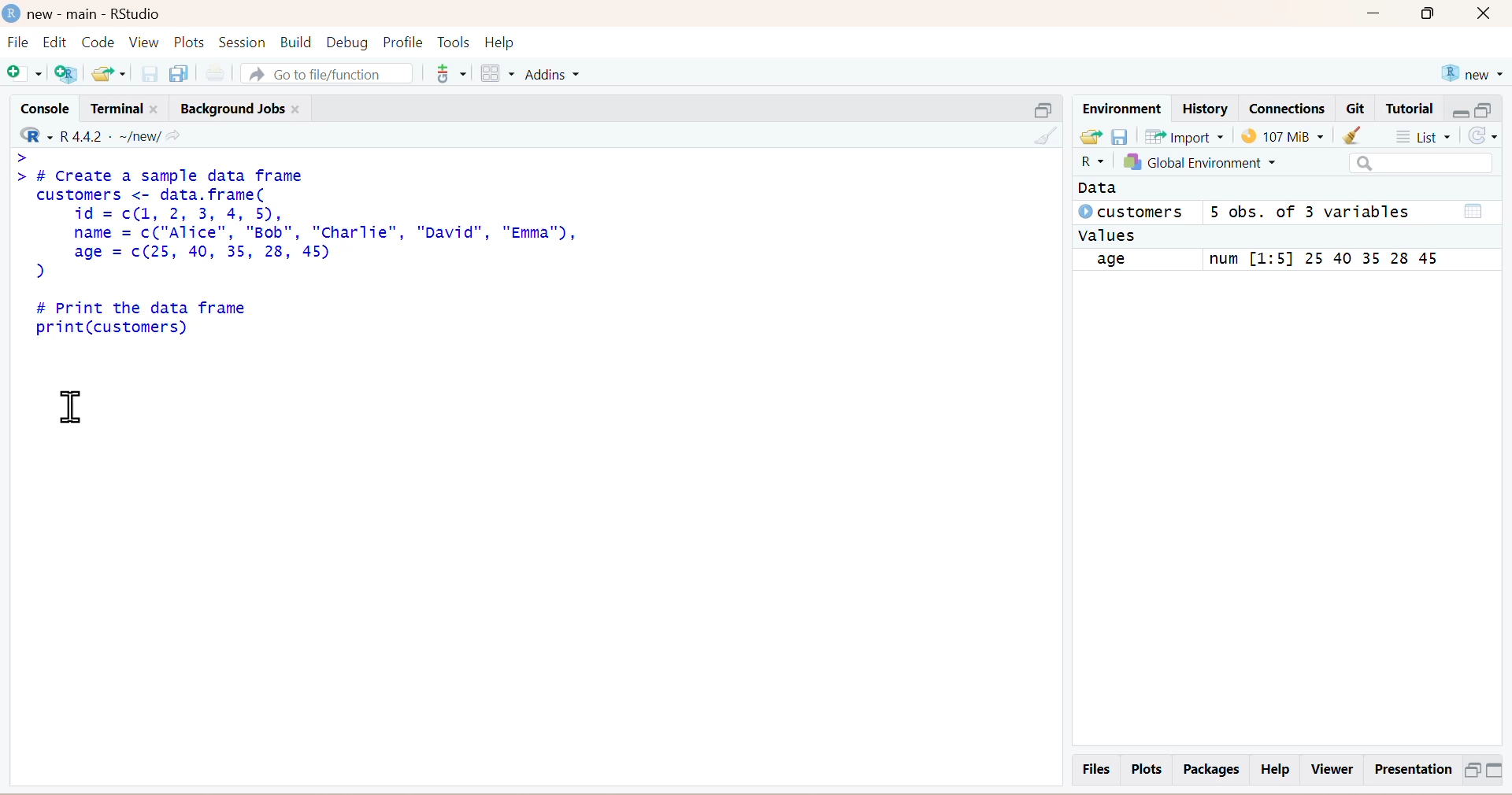 The height and width of the screenshot is (795, 1512). I want to click on Plots, so click(191, 42).